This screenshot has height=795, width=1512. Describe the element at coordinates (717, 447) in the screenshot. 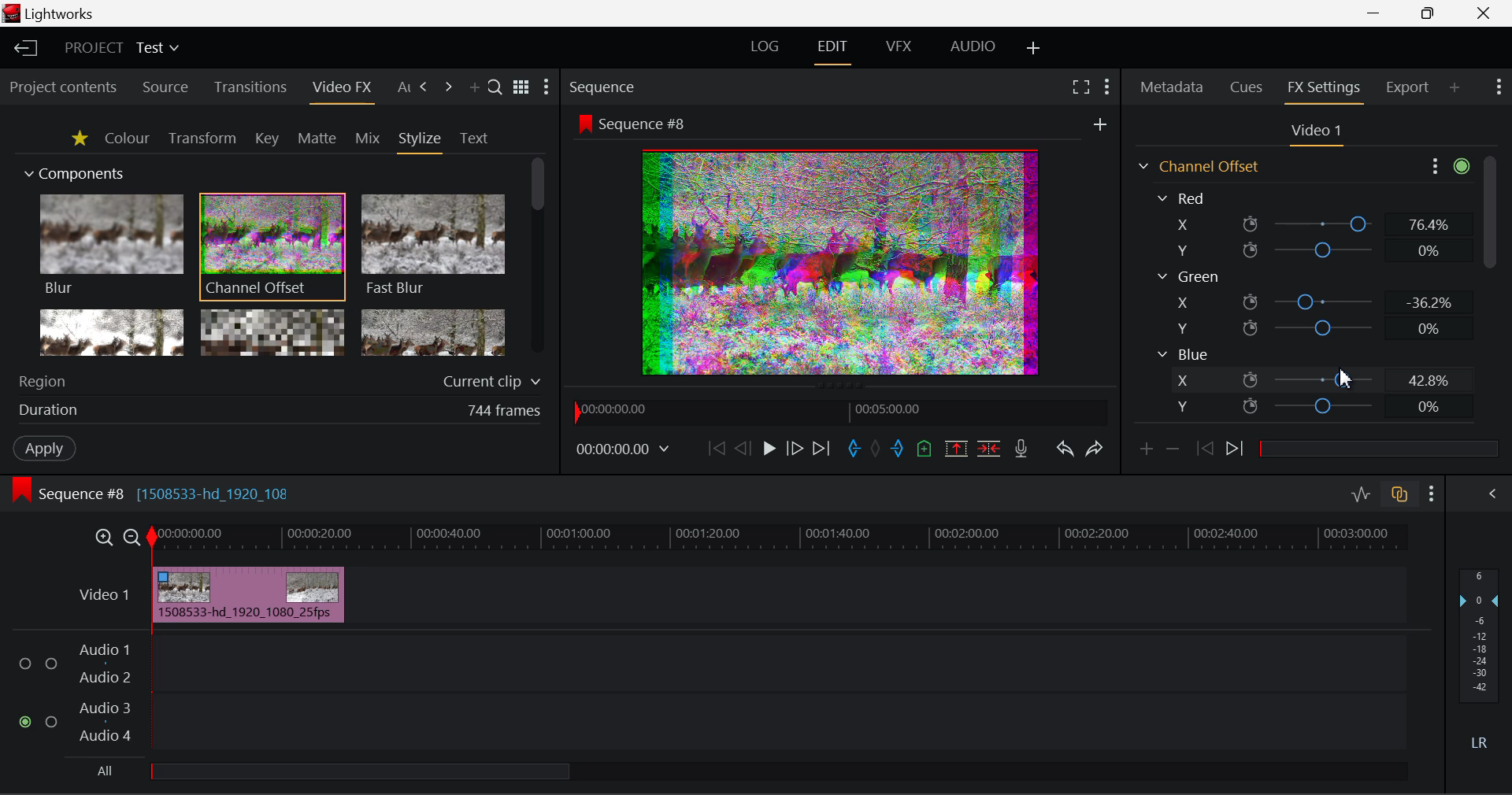

I see `To Start` at that location.